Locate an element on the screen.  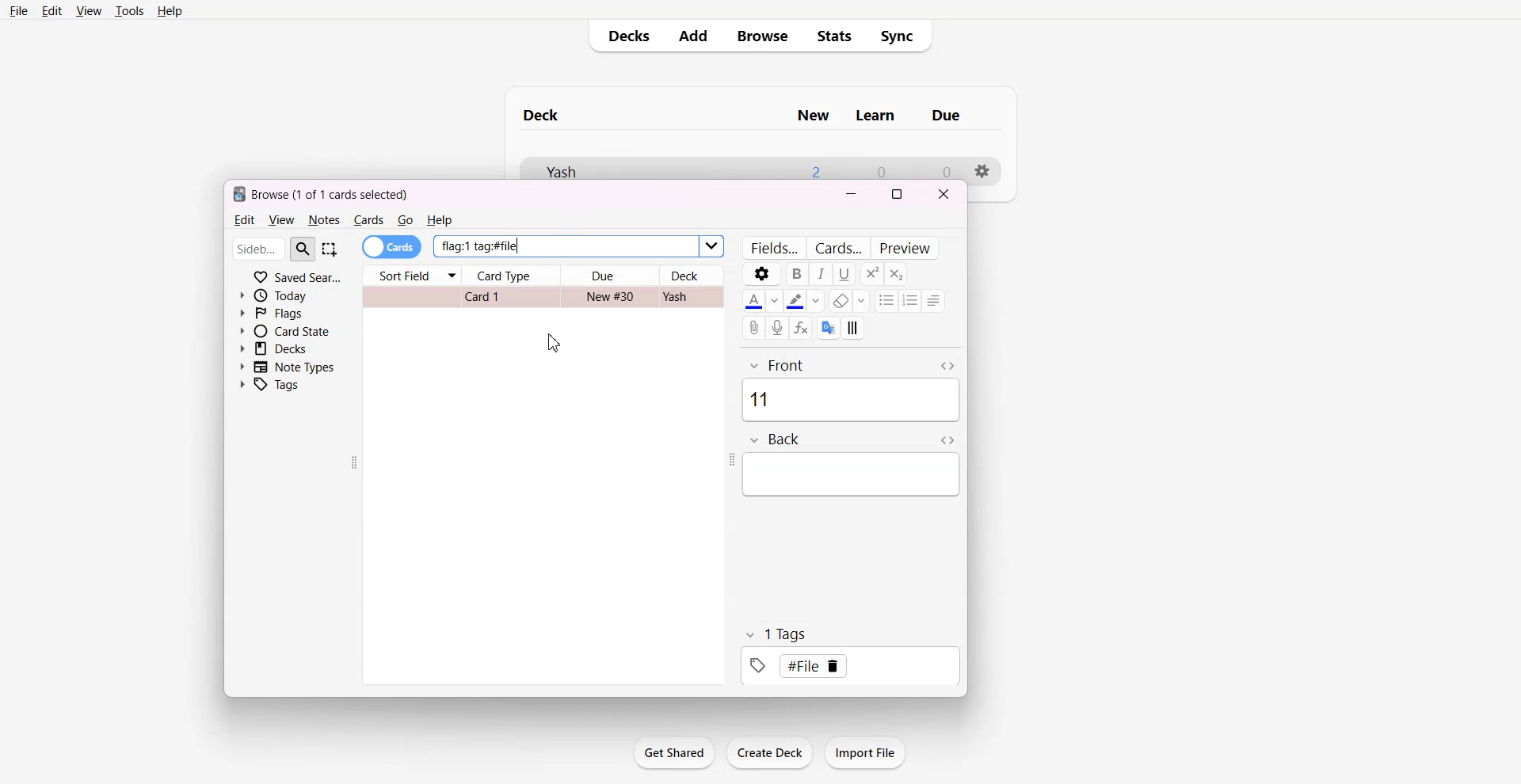
Import File is located at coordinates (865, 752).